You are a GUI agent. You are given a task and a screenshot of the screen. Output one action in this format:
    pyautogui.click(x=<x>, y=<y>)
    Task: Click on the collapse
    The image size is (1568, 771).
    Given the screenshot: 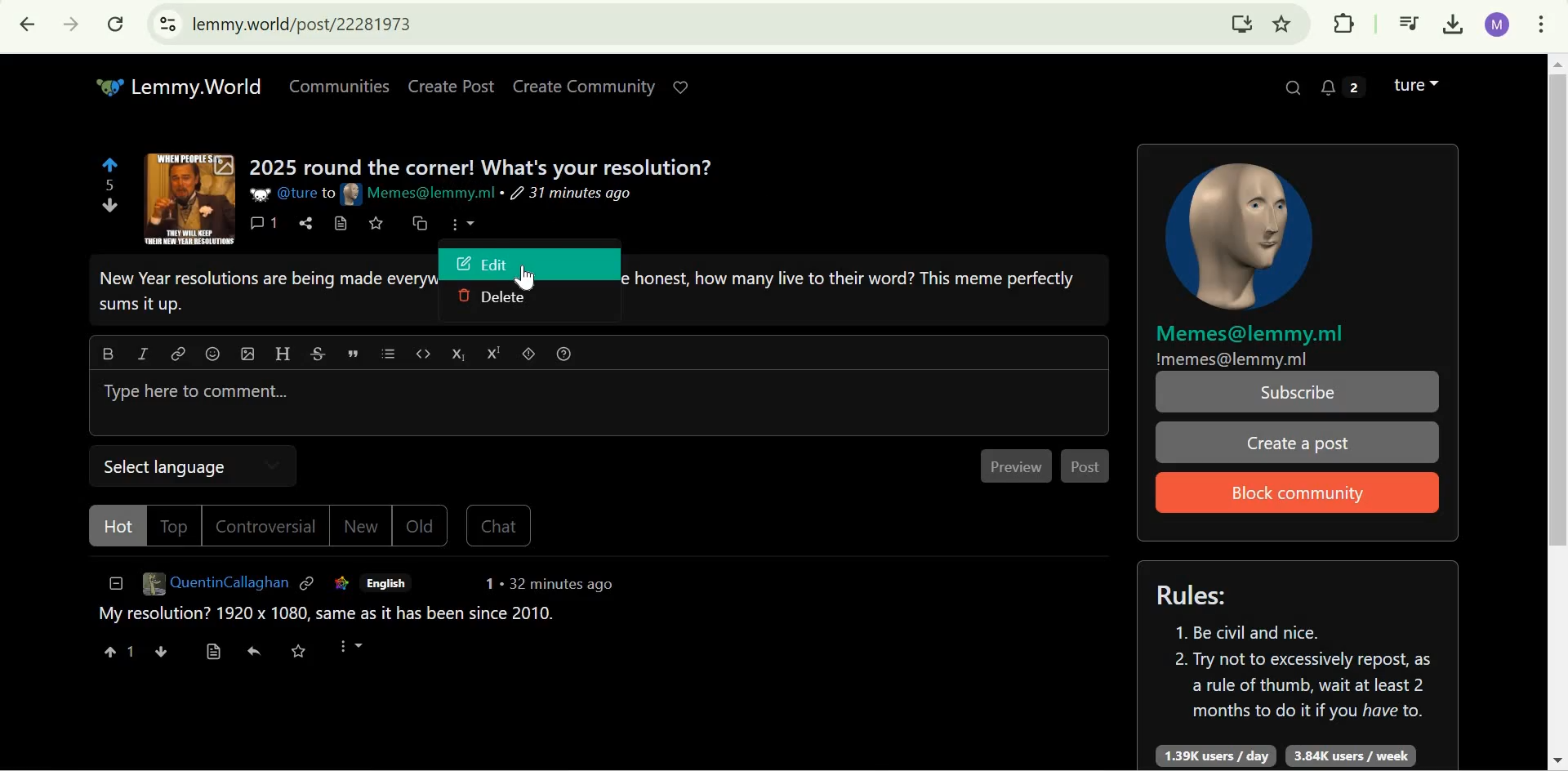 What is the action you would take?
    pyautogui.click(x=117, y=582)
    